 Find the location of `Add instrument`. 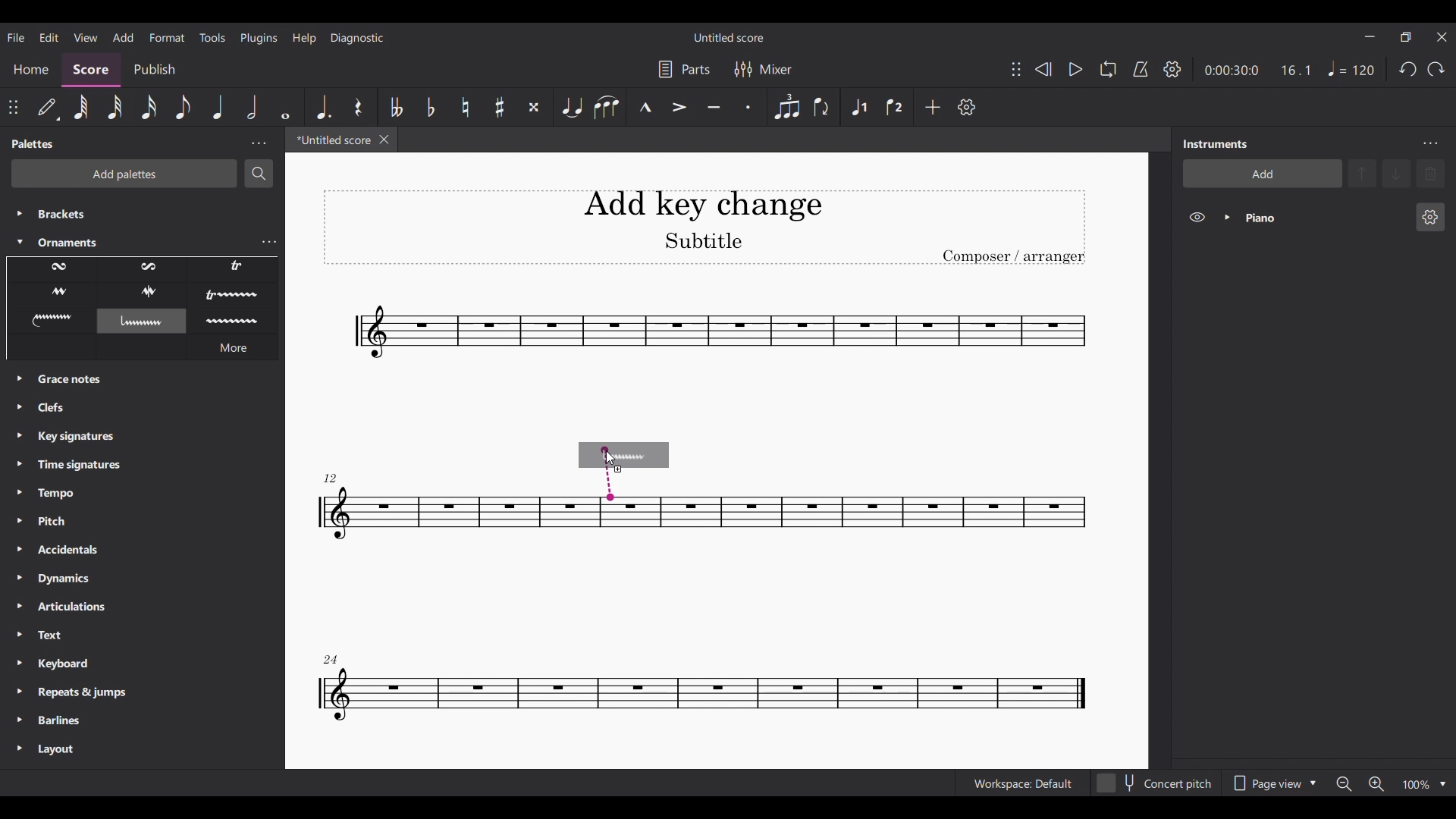

Add instrument is located at coordinates (1263, 174).